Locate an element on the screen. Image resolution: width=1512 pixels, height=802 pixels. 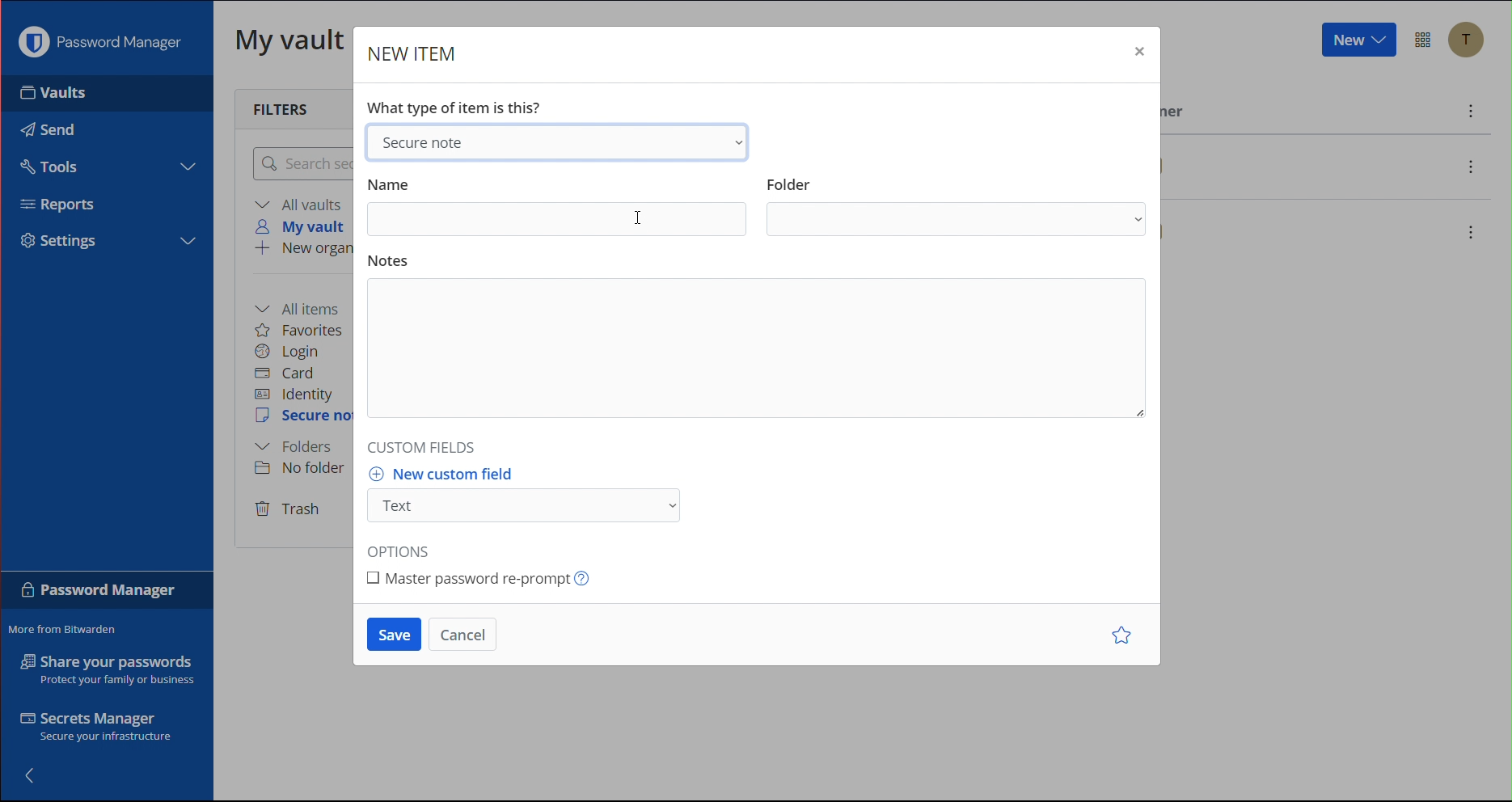
Card is located at coordinates (294, 373).